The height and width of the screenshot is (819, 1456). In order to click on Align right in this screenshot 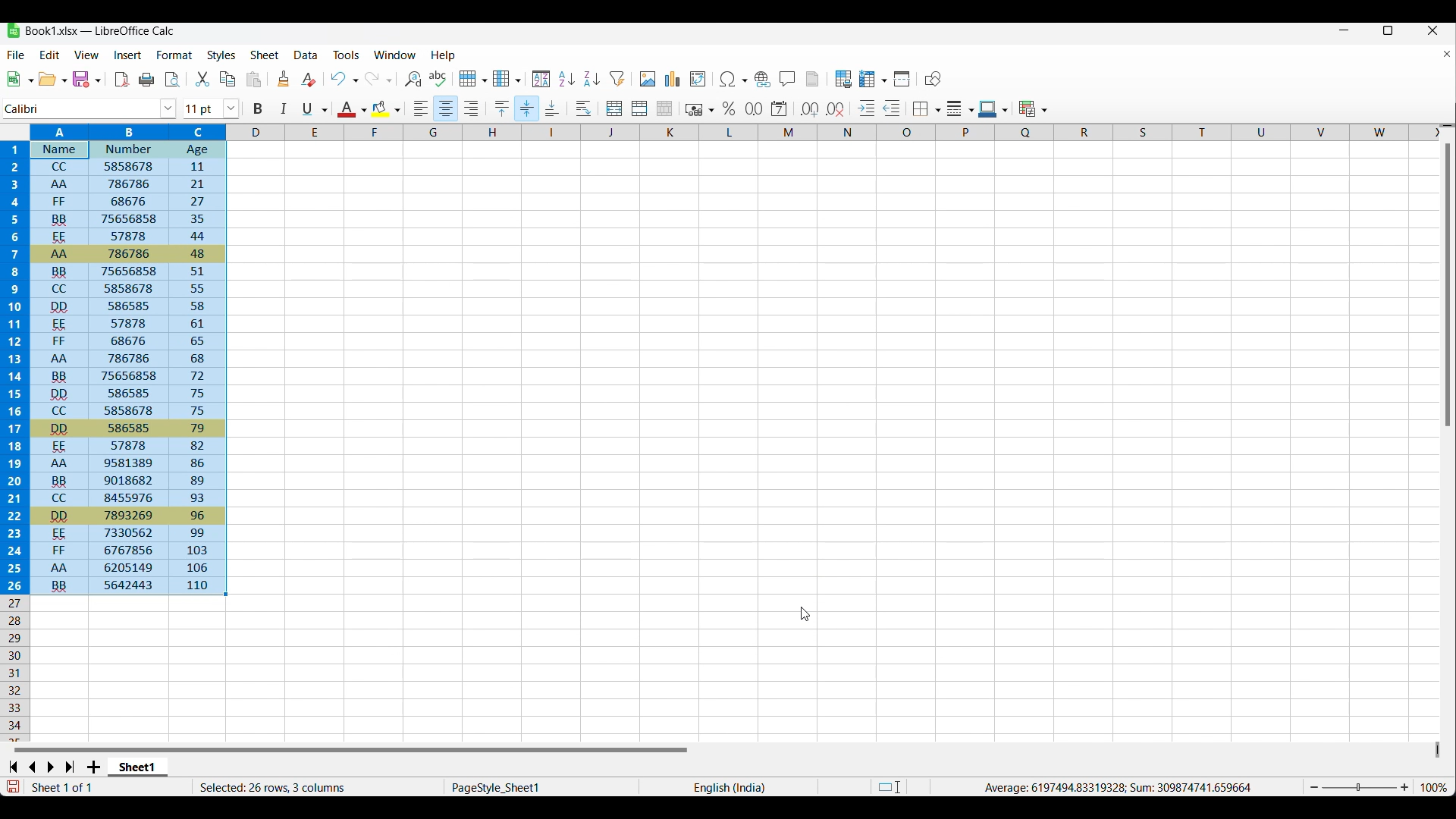, I will do `click(471, 108)`.